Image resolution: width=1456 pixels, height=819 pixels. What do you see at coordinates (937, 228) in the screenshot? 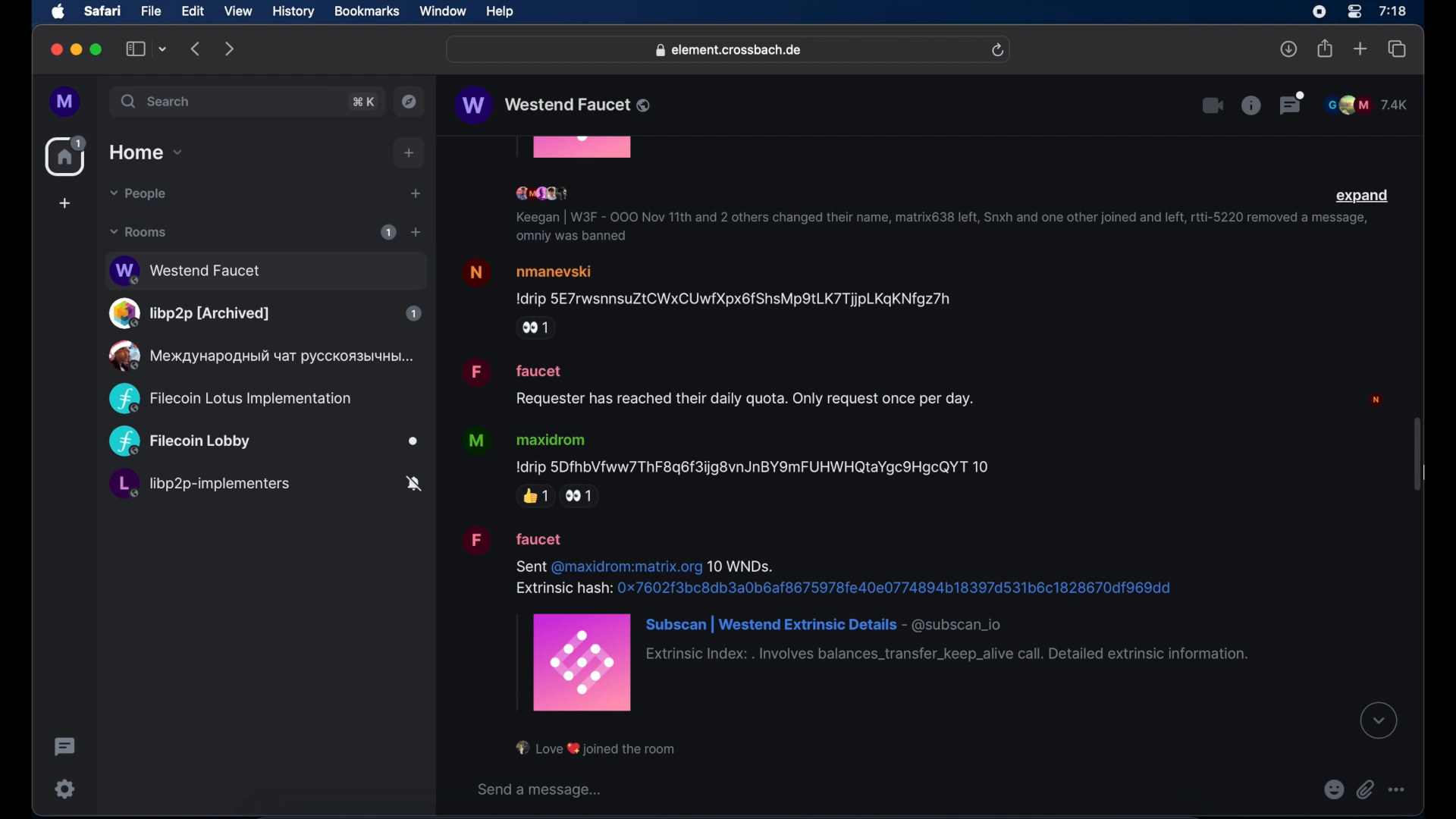
I see `info` at bounding box center [937, 228].